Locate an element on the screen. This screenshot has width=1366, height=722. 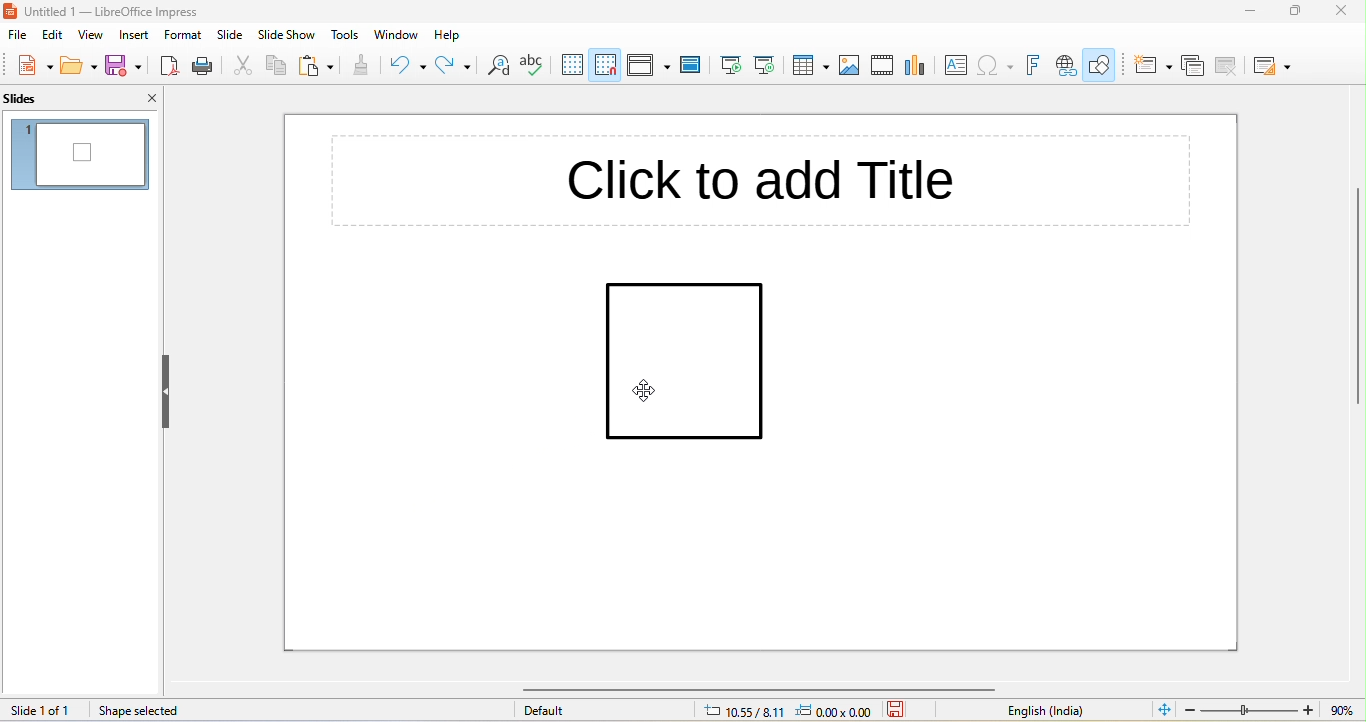
delete slide is located at coordinates (1226, 65).